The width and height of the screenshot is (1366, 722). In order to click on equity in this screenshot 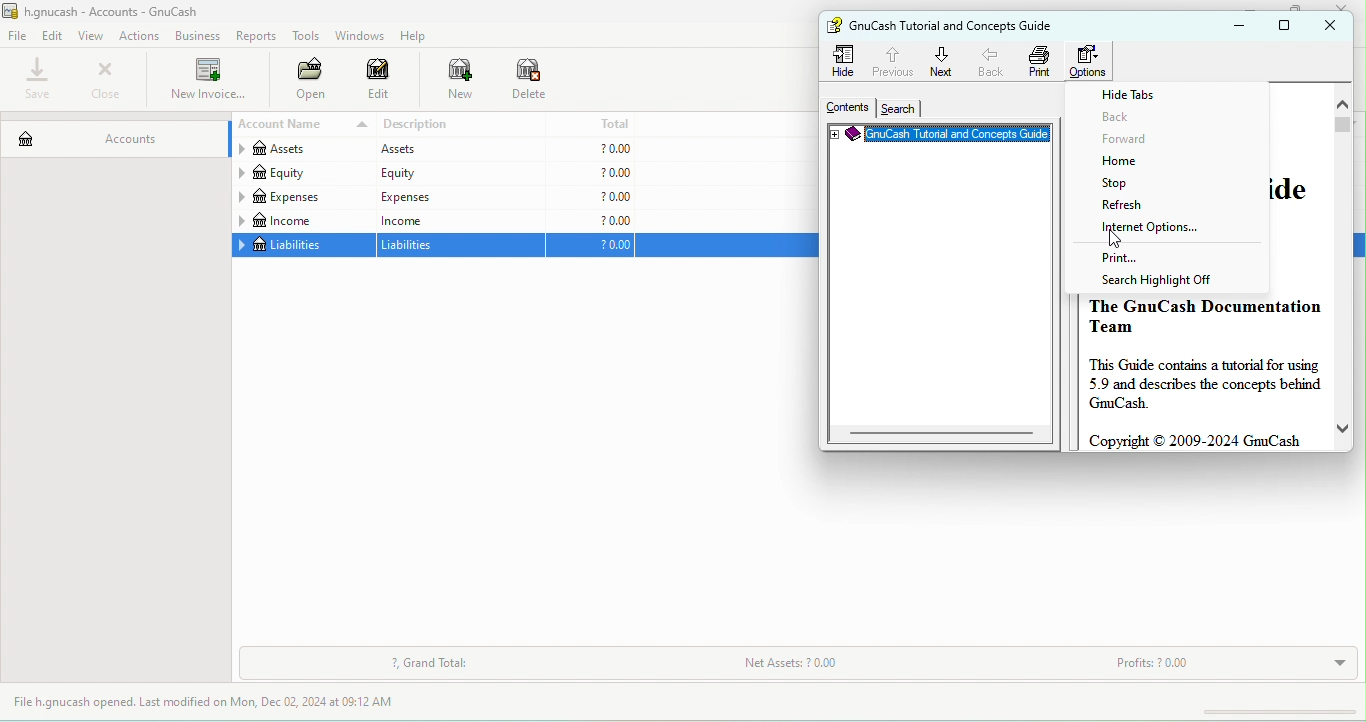, I will do `click(458, 173)`.